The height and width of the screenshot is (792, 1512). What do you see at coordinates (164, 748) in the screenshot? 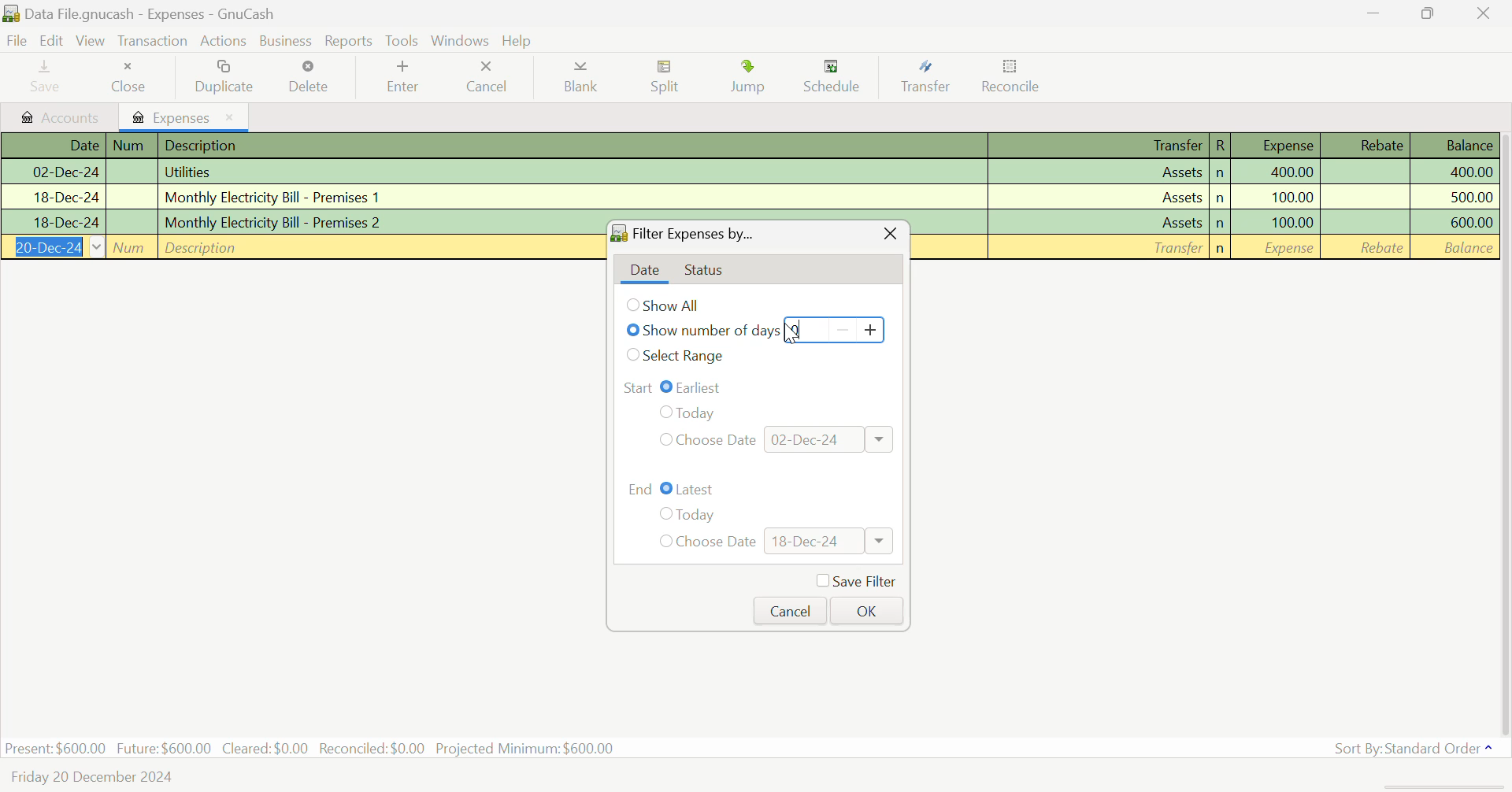
I see `Future` at bounding box center [164, 748].